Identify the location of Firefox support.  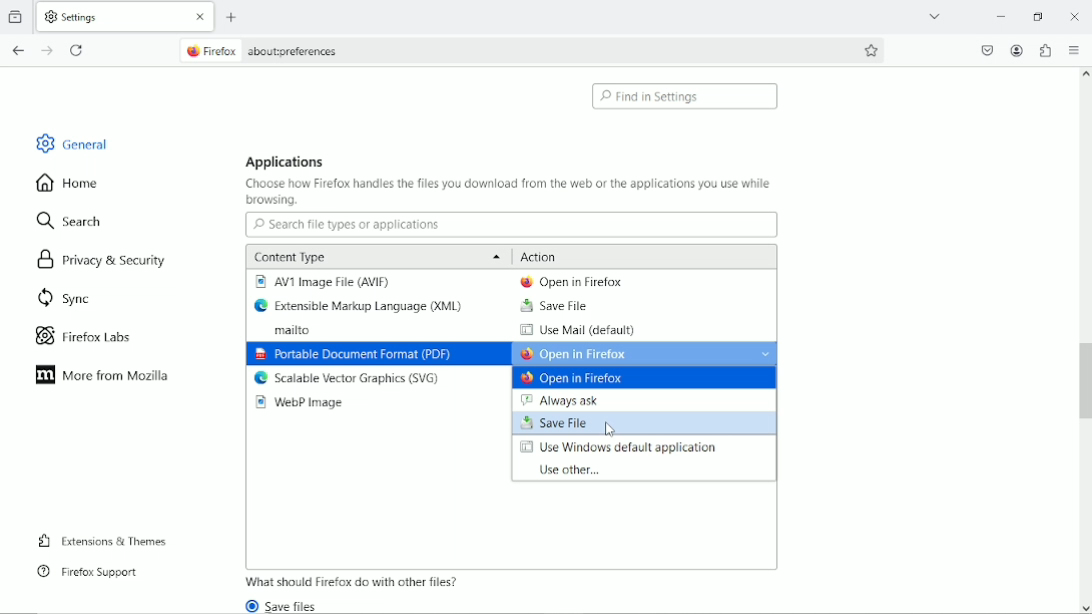
(87, 572).